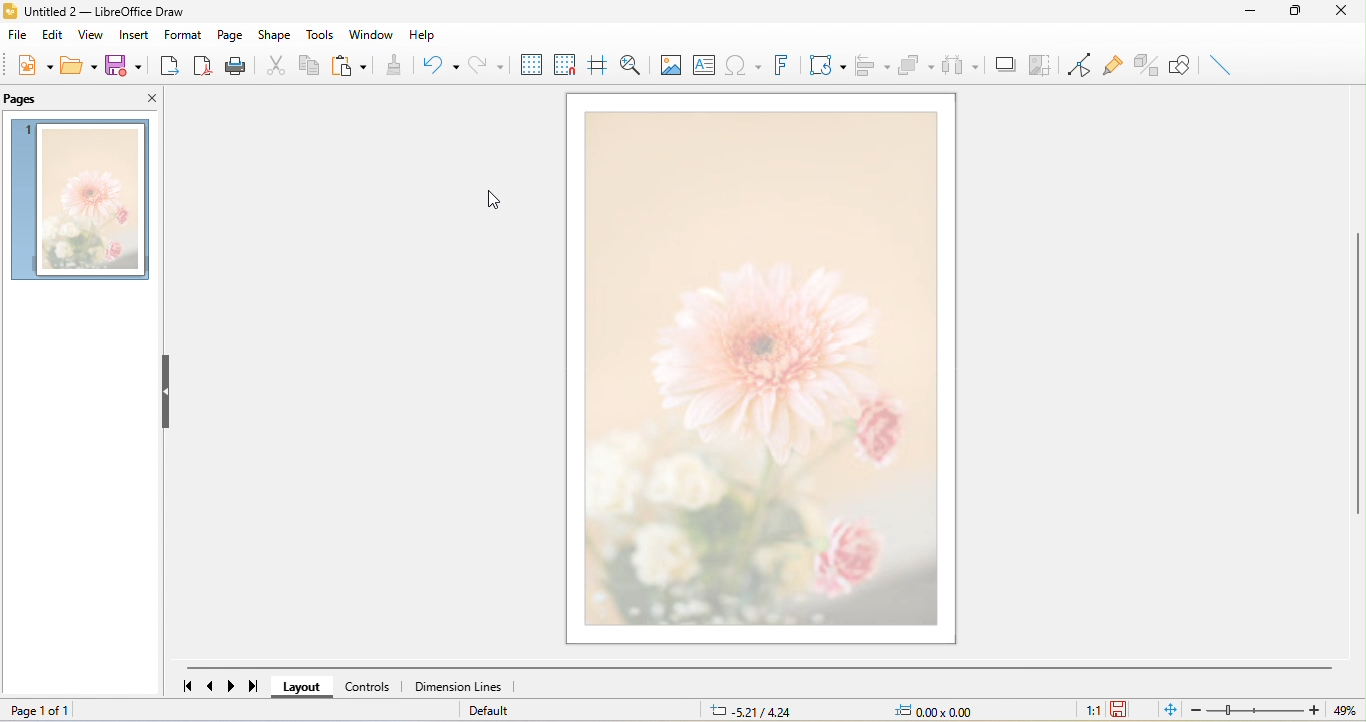  What do you see at coordinates (564, 61) in the screenshot?
I see `snap to grid` at bounding box center [564, 61].